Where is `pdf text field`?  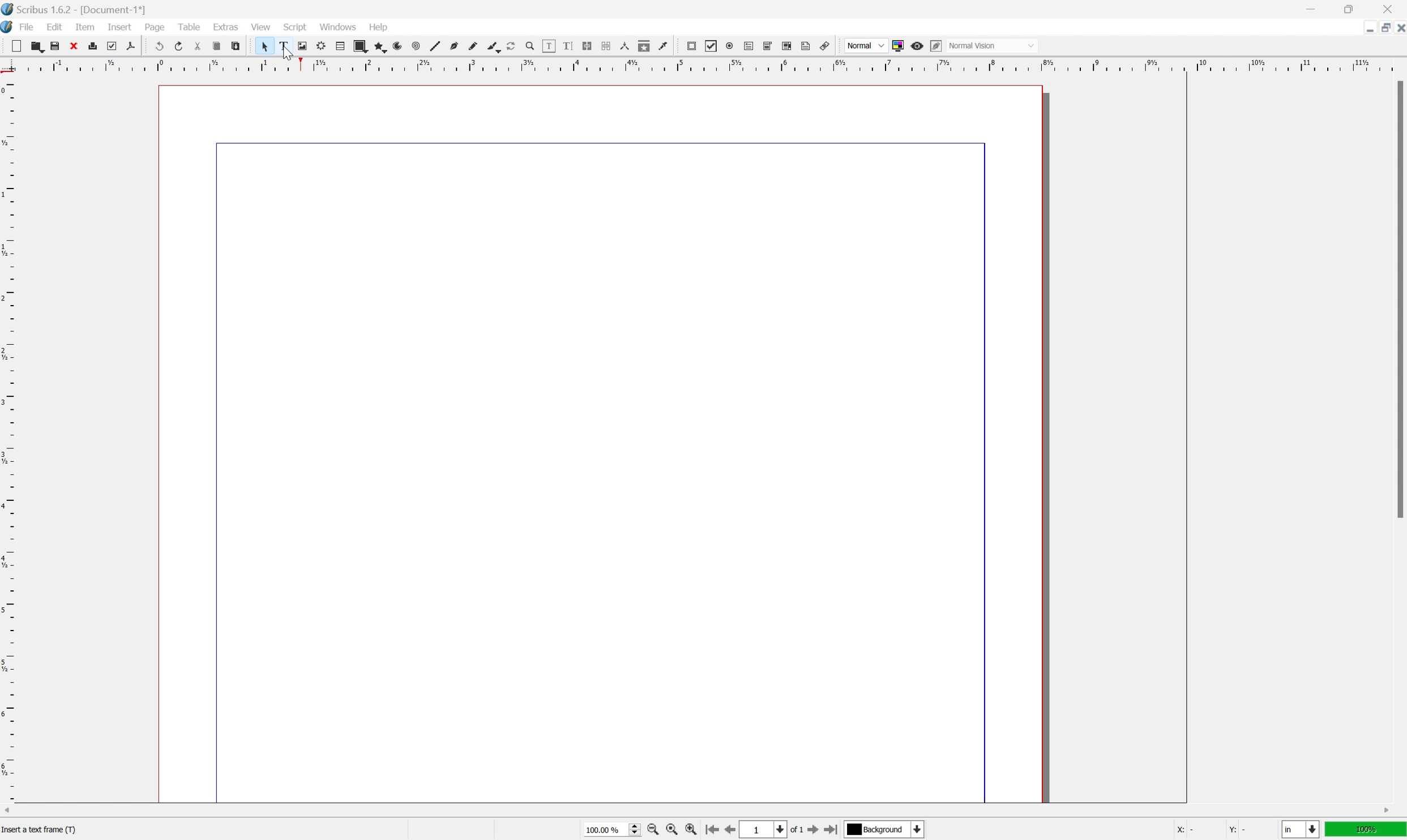
pdf text field is located at coordinates (749, 46).